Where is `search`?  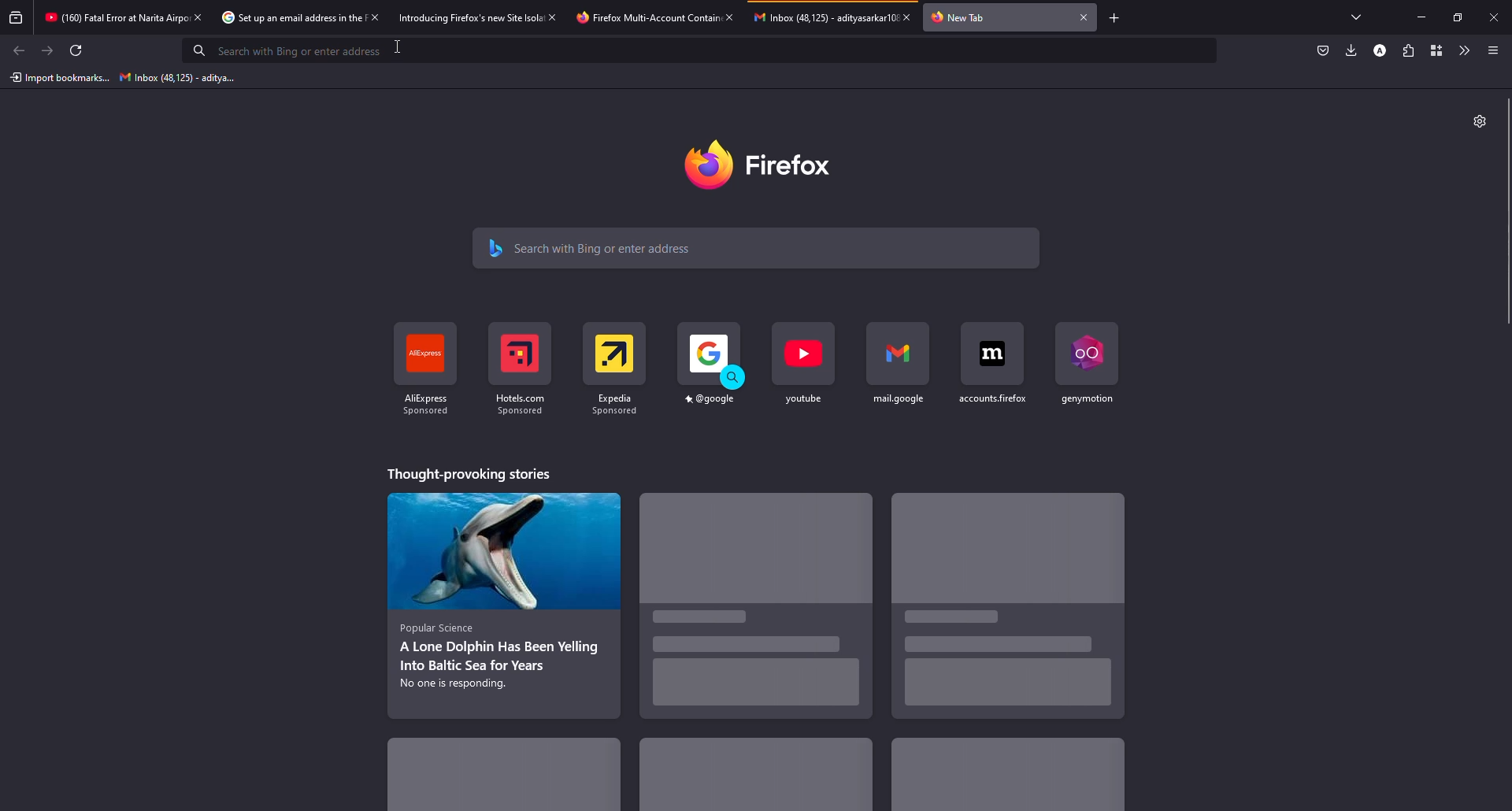 search is located at coordinates (608, 247).